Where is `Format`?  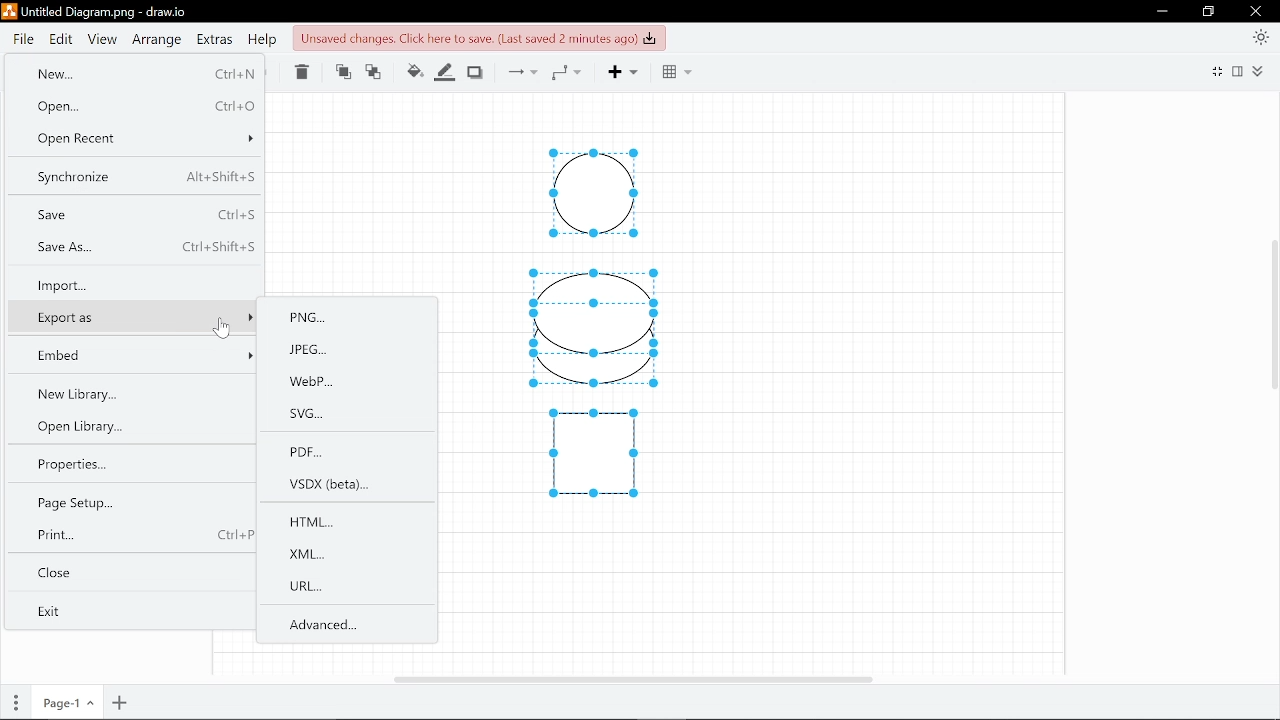
Format is located at coordinates (1237, 72).